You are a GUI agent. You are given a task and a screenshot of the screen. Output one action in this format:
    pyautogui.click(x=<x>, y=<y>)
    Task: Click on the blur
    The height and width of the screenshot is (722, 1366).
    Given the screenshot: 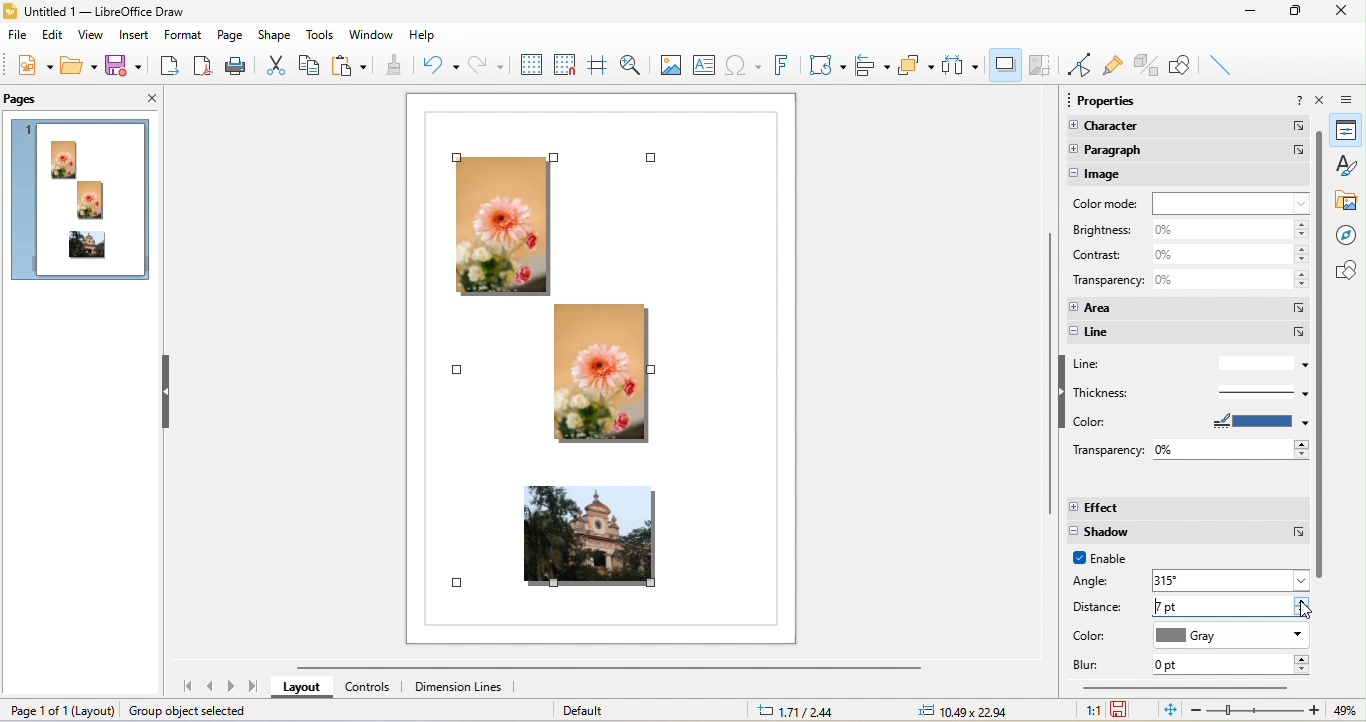 What is the action you would take?
    pyautogui.click(x=1093, y=665)
    